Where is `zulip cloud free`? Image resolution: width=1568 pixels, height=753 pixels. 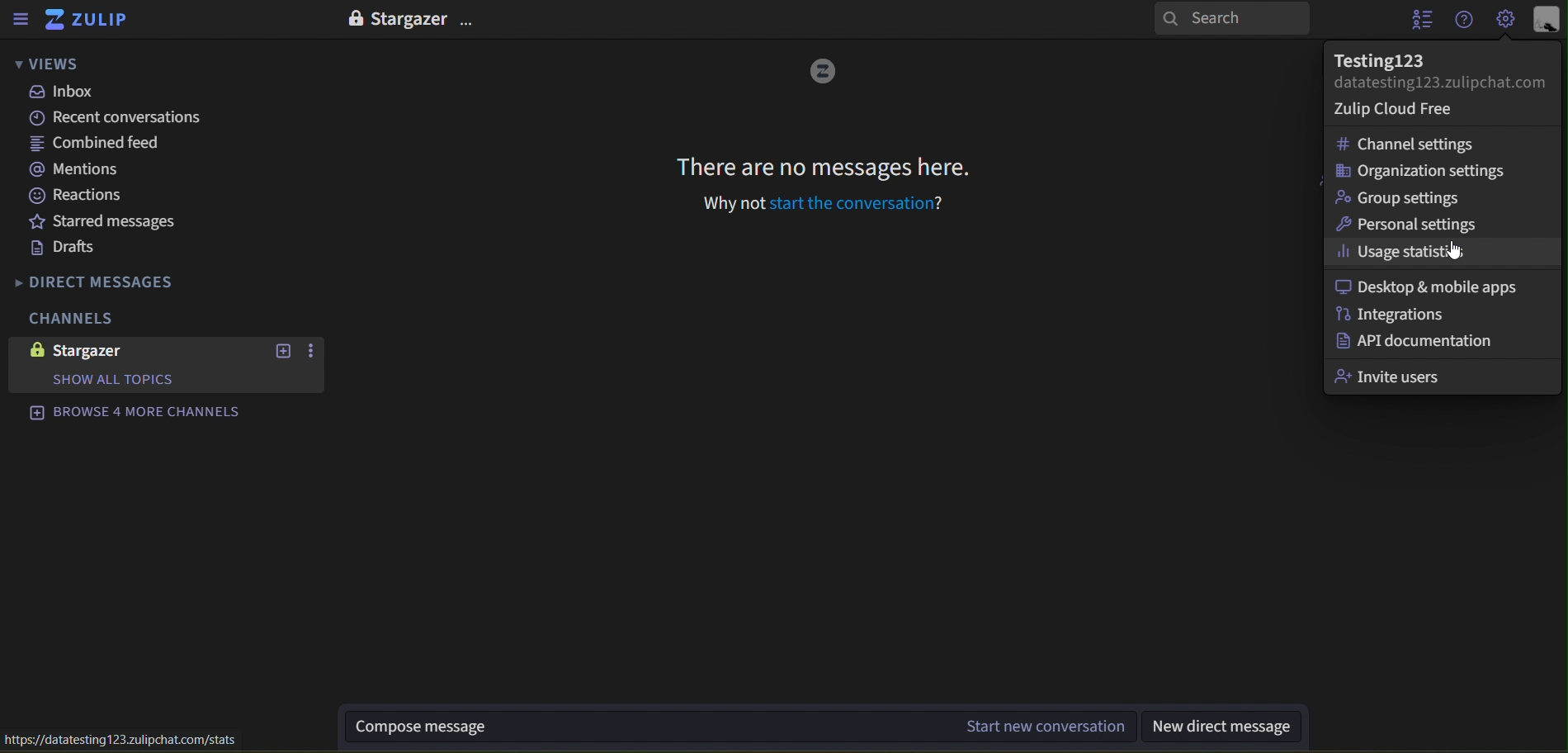
zulip cloud free is located at coordinates (1405, 109).